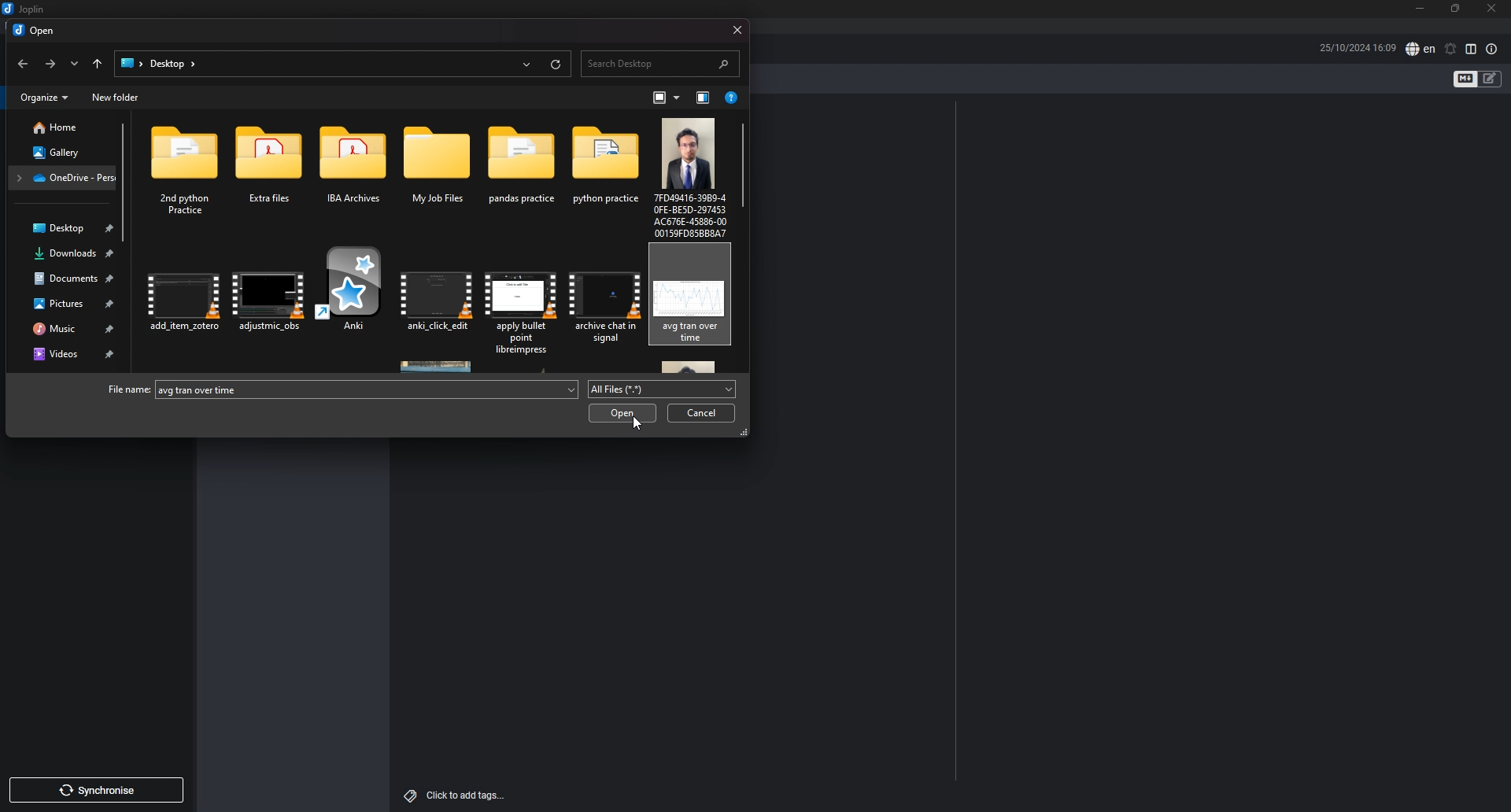  Describe the element at coordinates (130, 389) in the screenshot. I see `file name` at that location.